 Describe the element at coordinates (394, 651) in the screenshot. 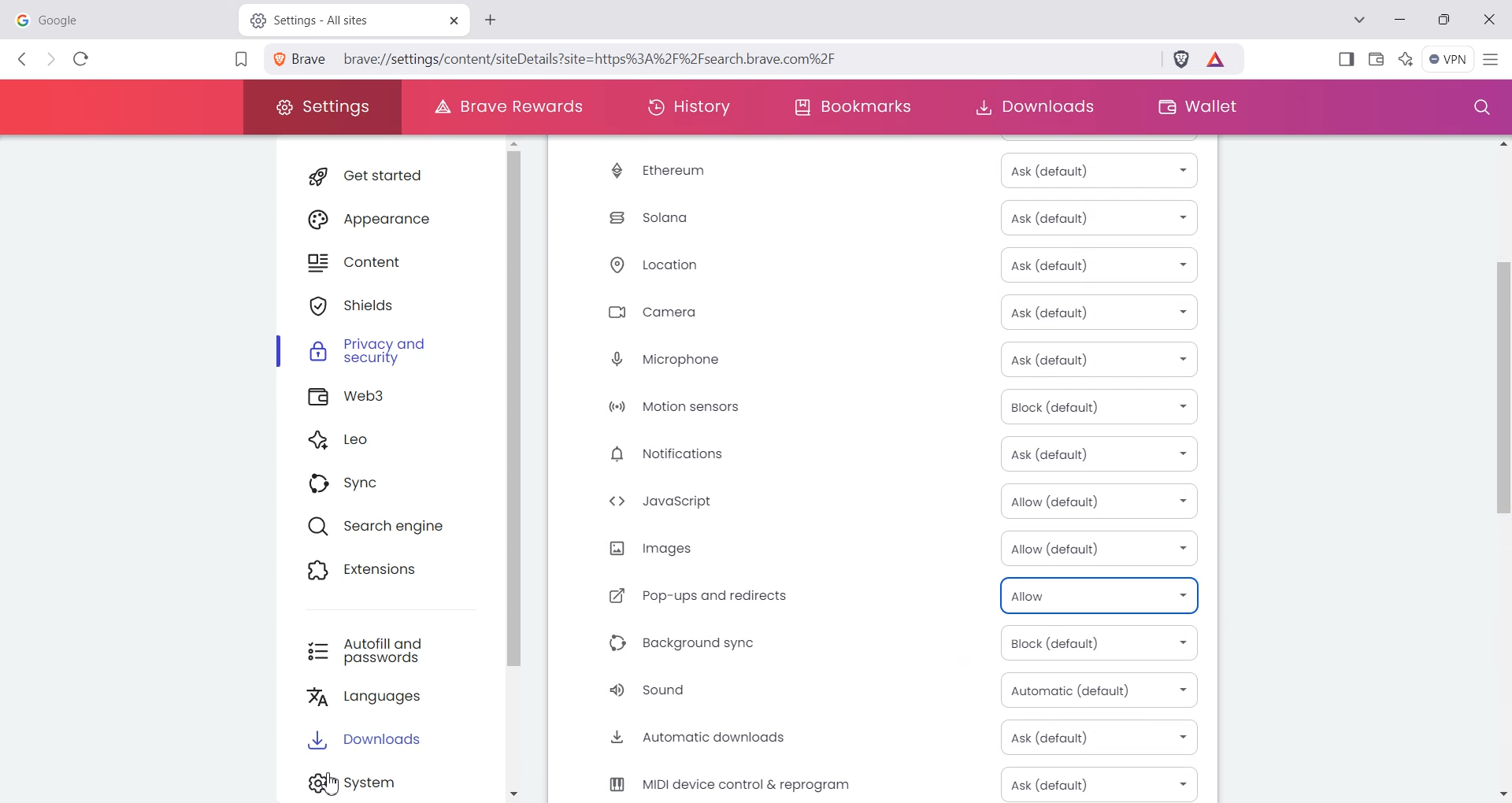

I see `Autofill and passwords` at that location.